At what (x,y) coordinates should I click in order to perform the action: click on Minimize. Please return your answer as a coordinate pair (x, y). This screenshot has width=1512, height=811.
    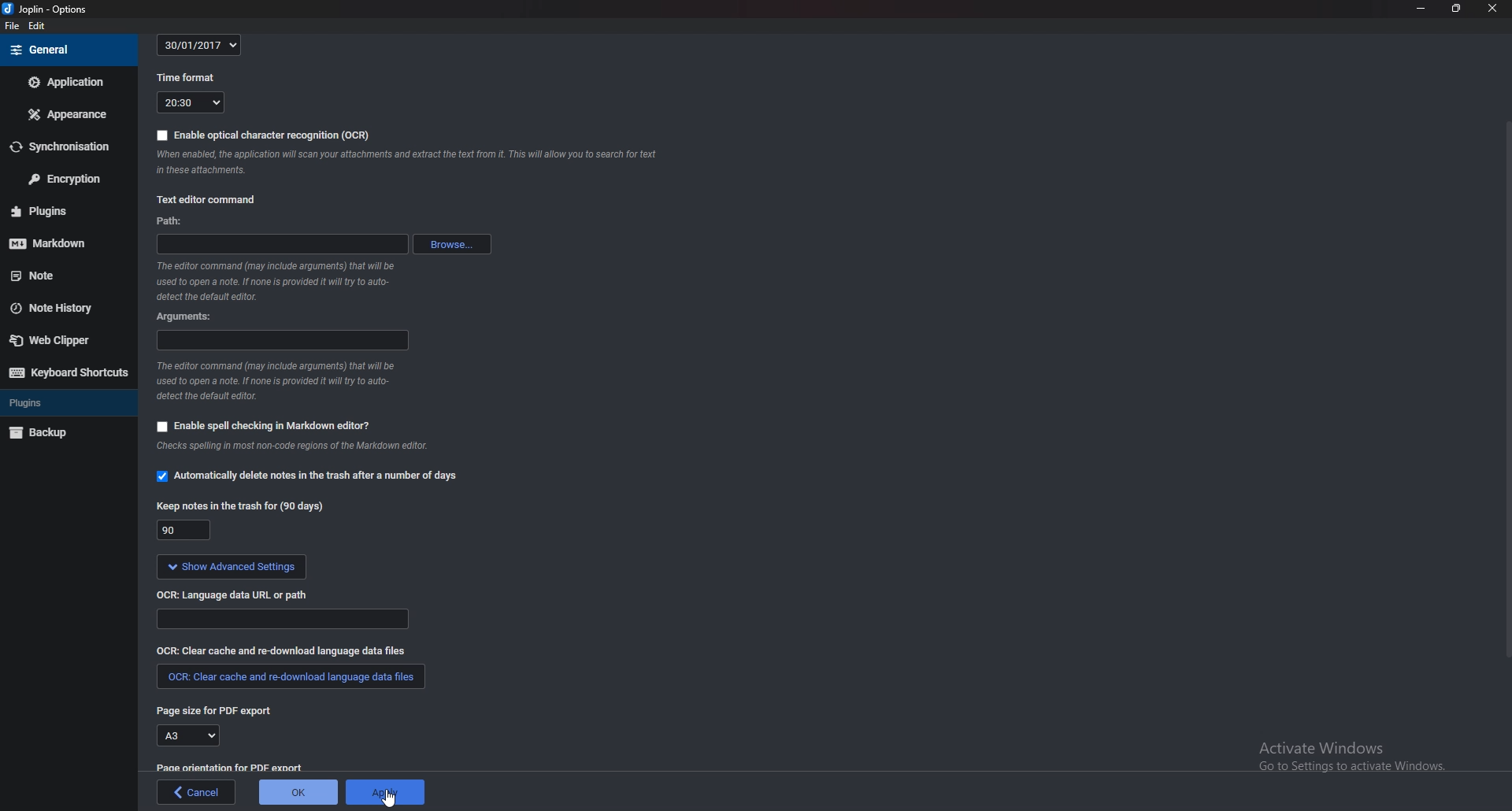
    Looking at the image, I should click on (1422, 9).